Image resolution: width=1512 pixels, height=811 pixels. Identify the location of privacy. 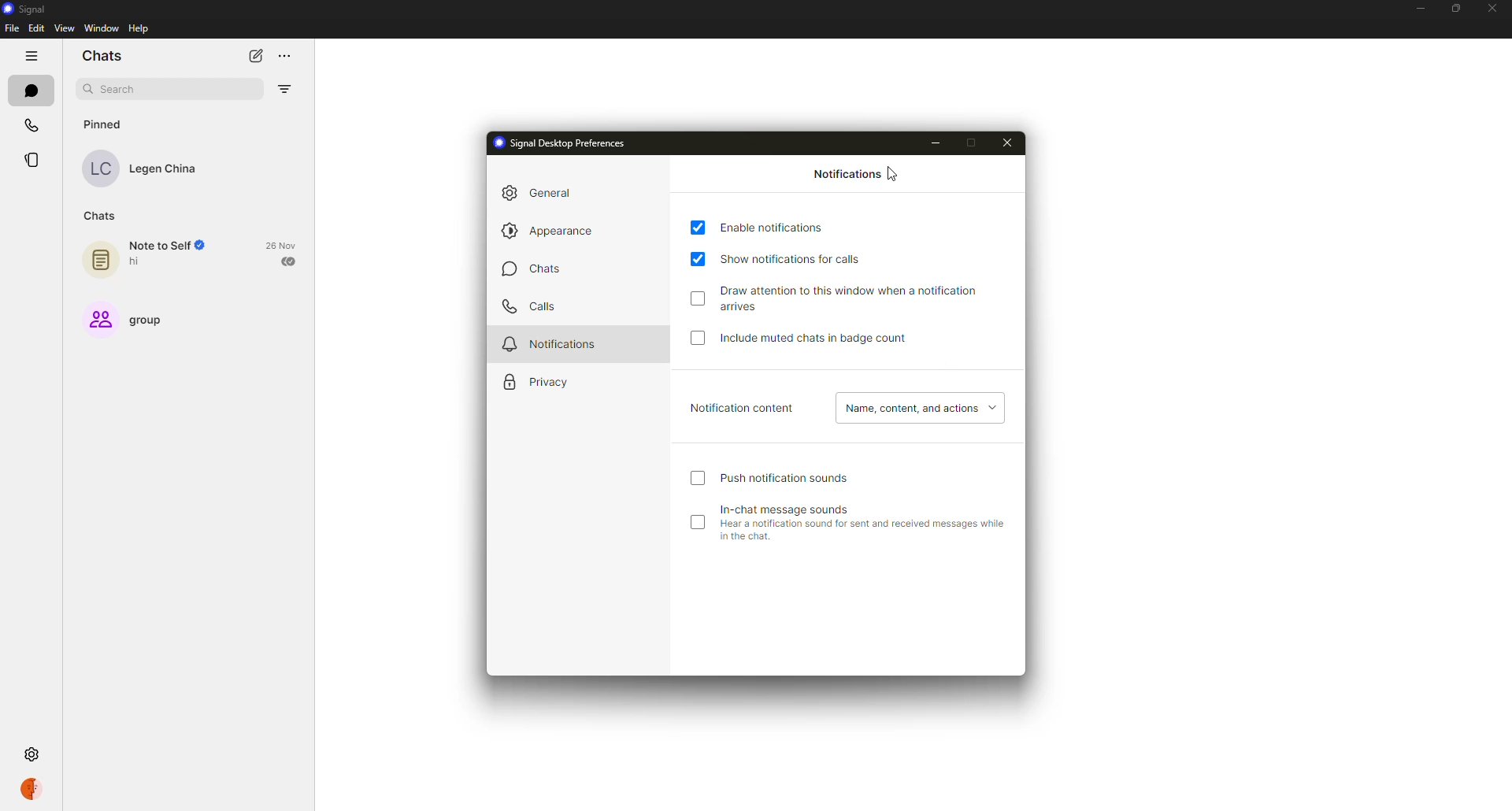
(539, 380).